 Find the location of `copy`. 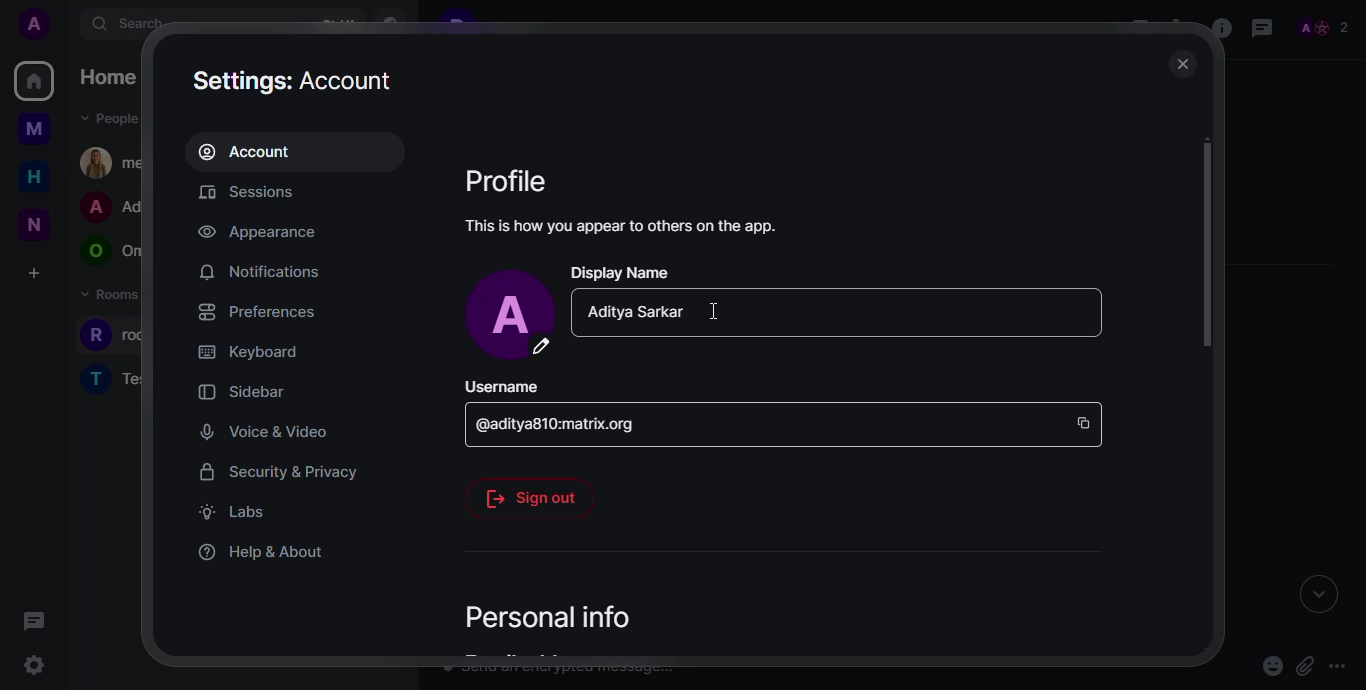

copy is located at coordinates (1085, 420).